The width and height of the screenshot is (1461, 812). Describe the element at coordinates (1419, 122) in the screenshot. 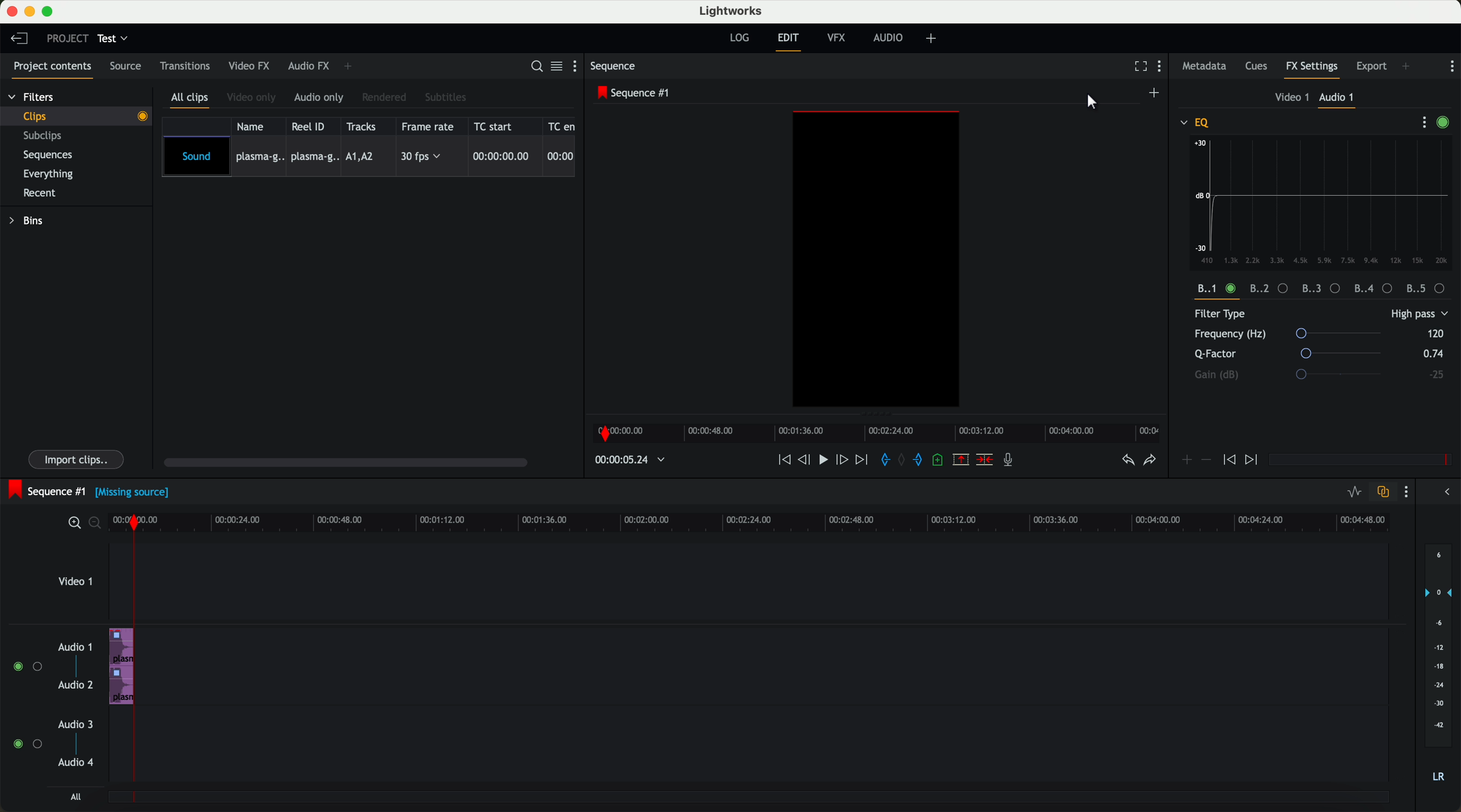

I see `more options` at that location.